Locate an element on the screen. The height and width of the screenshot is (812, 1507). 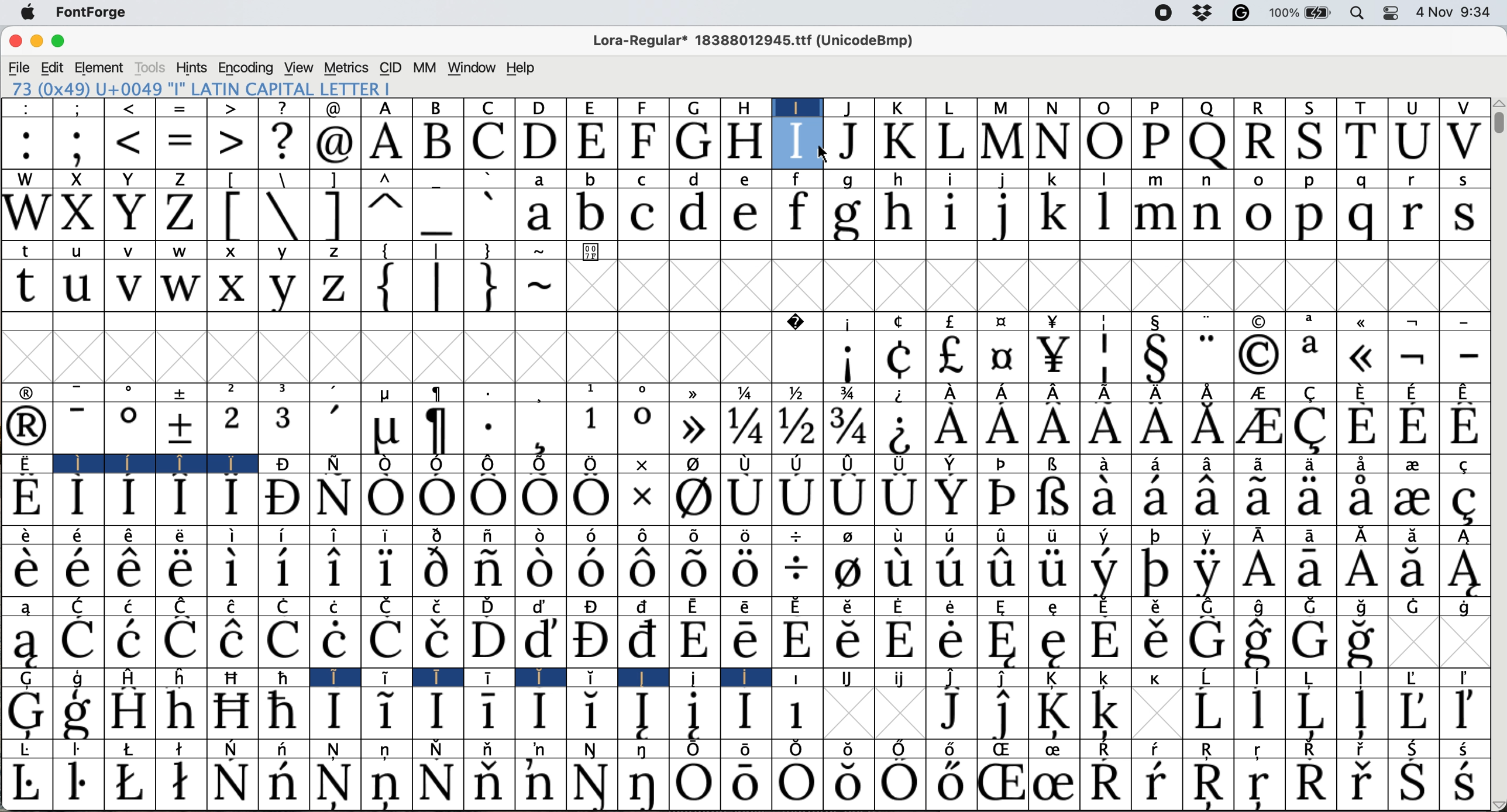
Symbol is located at coordinates (1158, 750).